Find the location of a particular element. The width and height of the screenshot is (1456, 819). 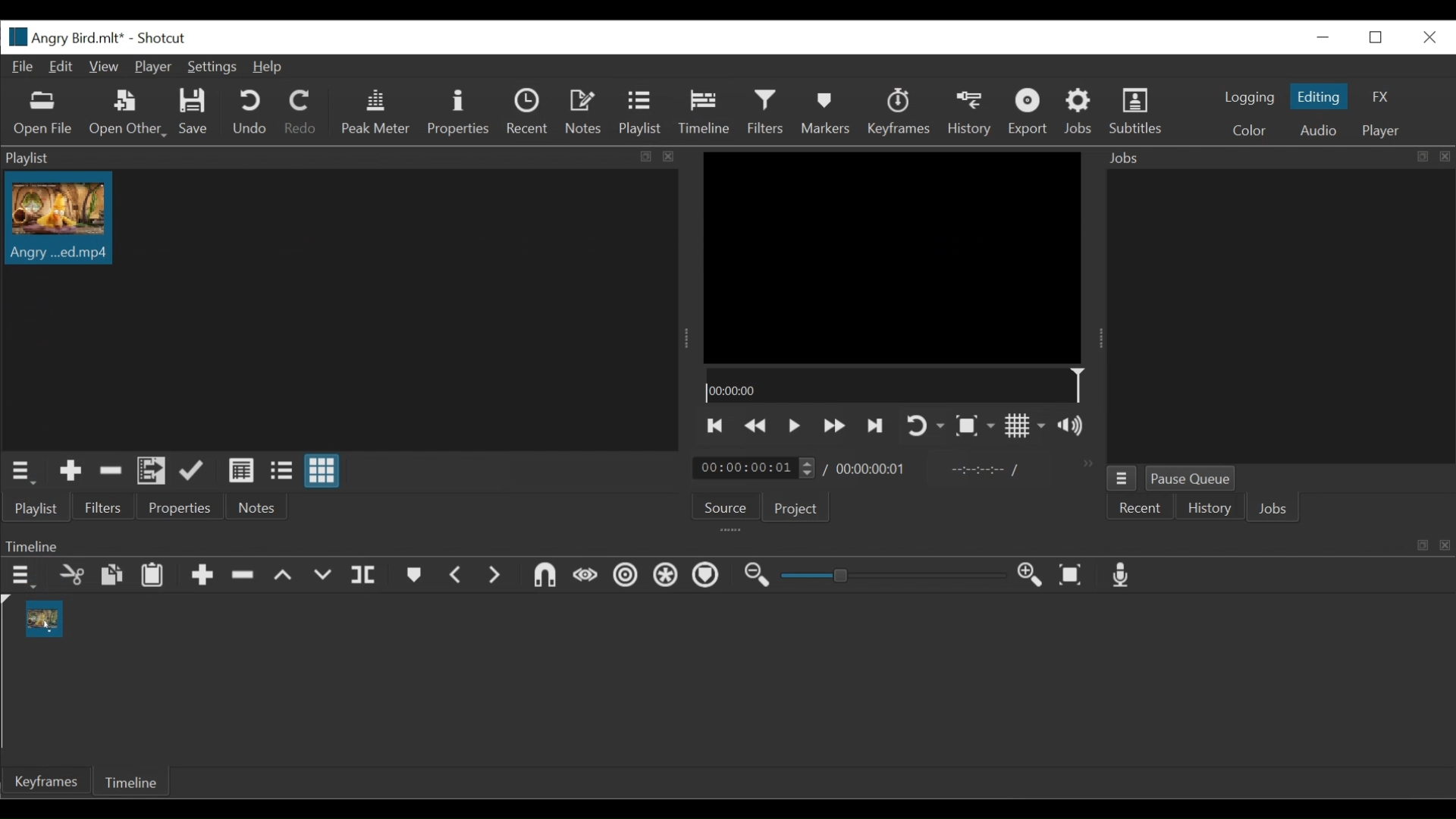

Jobs is located at coordinates (1273, 507).